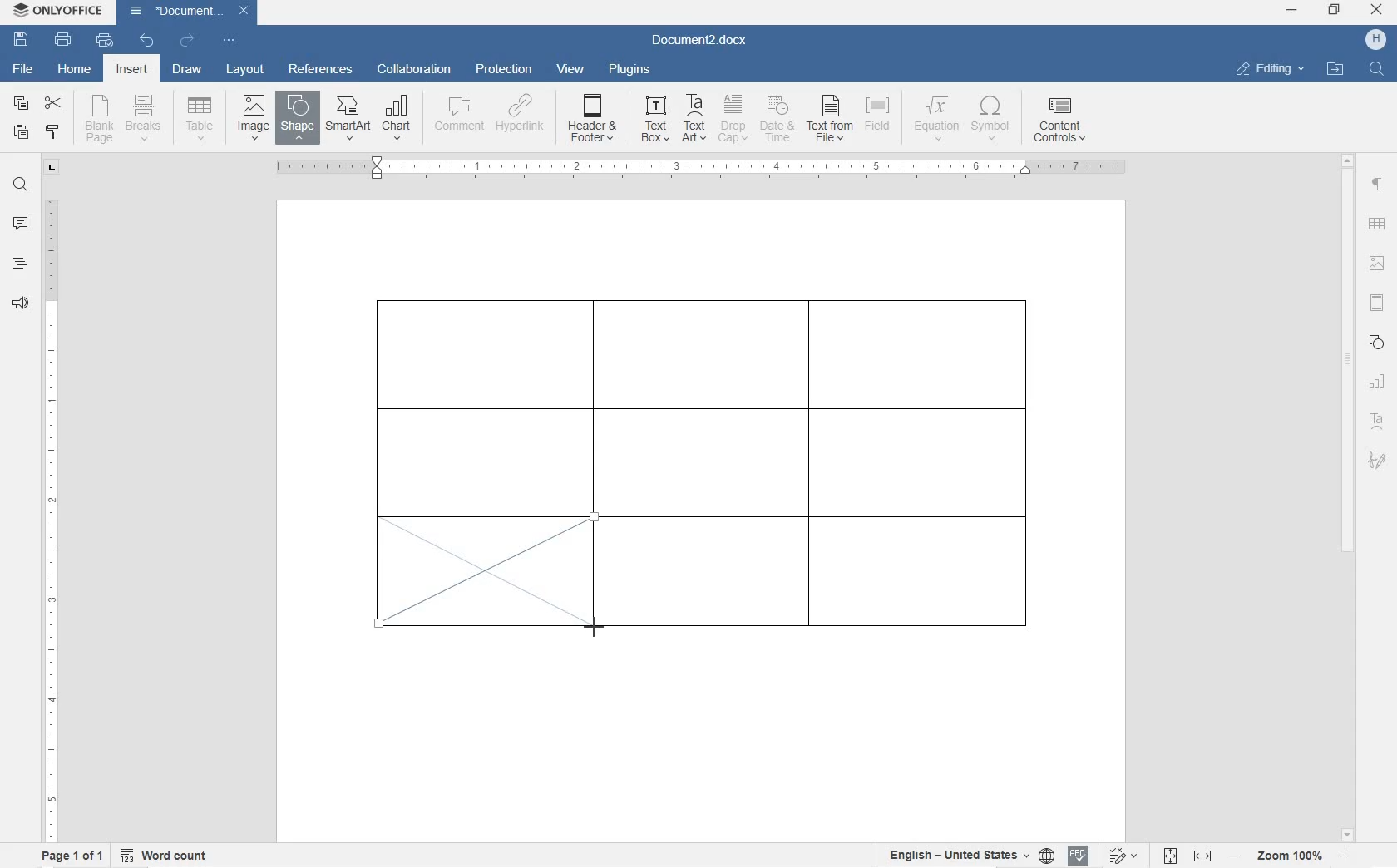 This screenshot has width=1397, height=868. What do you see at coordinates (348, 118) in the screenshot?
I see `SmartArt` at bounding box center [348, 118].